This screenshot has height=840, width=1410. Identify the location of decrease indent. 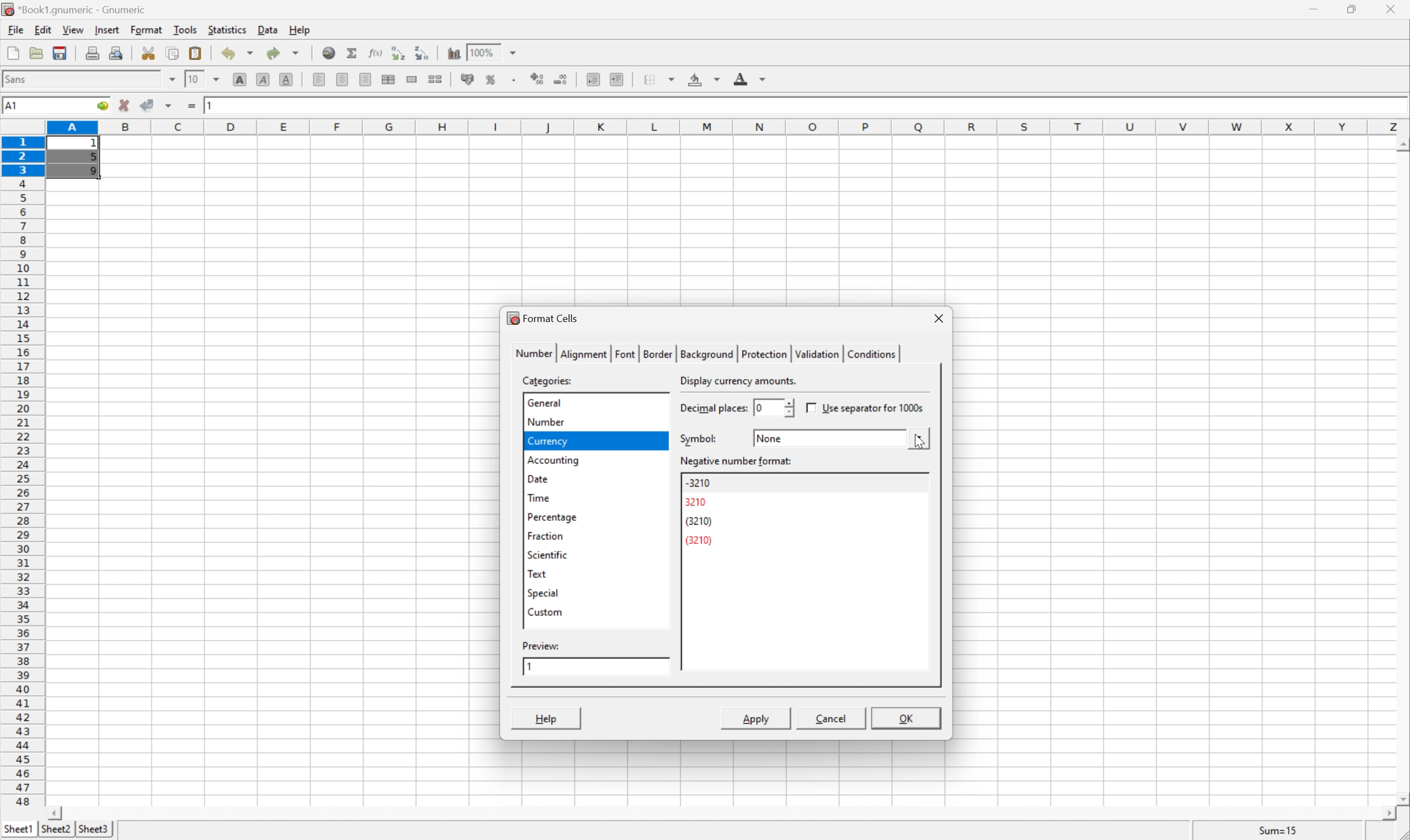
(594, 79).